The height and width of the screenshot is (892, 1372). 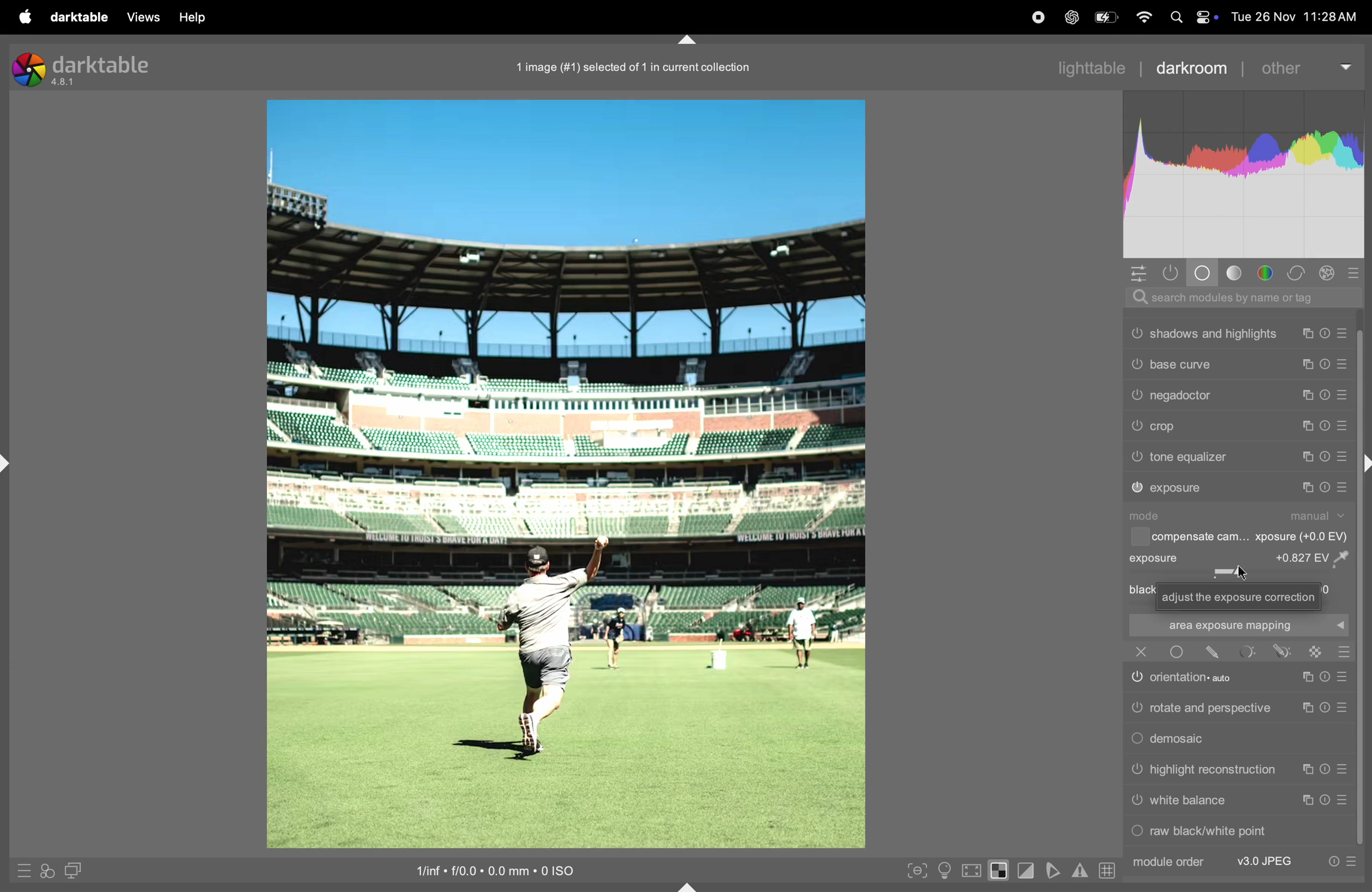 I want to click on Preset, so click(x=1345, y=652).